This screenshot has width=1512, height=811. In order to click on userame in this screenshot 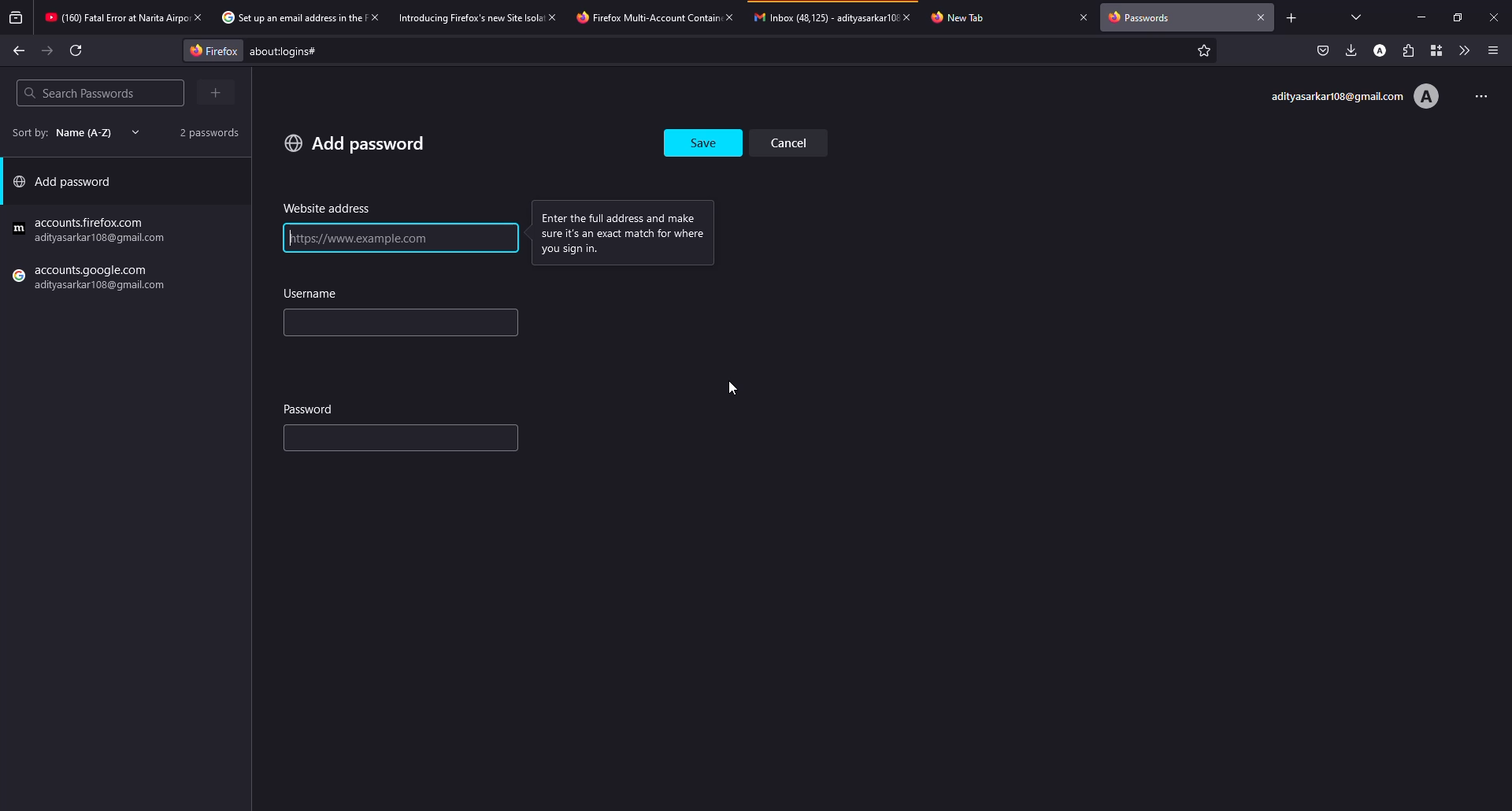, I will do `click(315, 294)`.